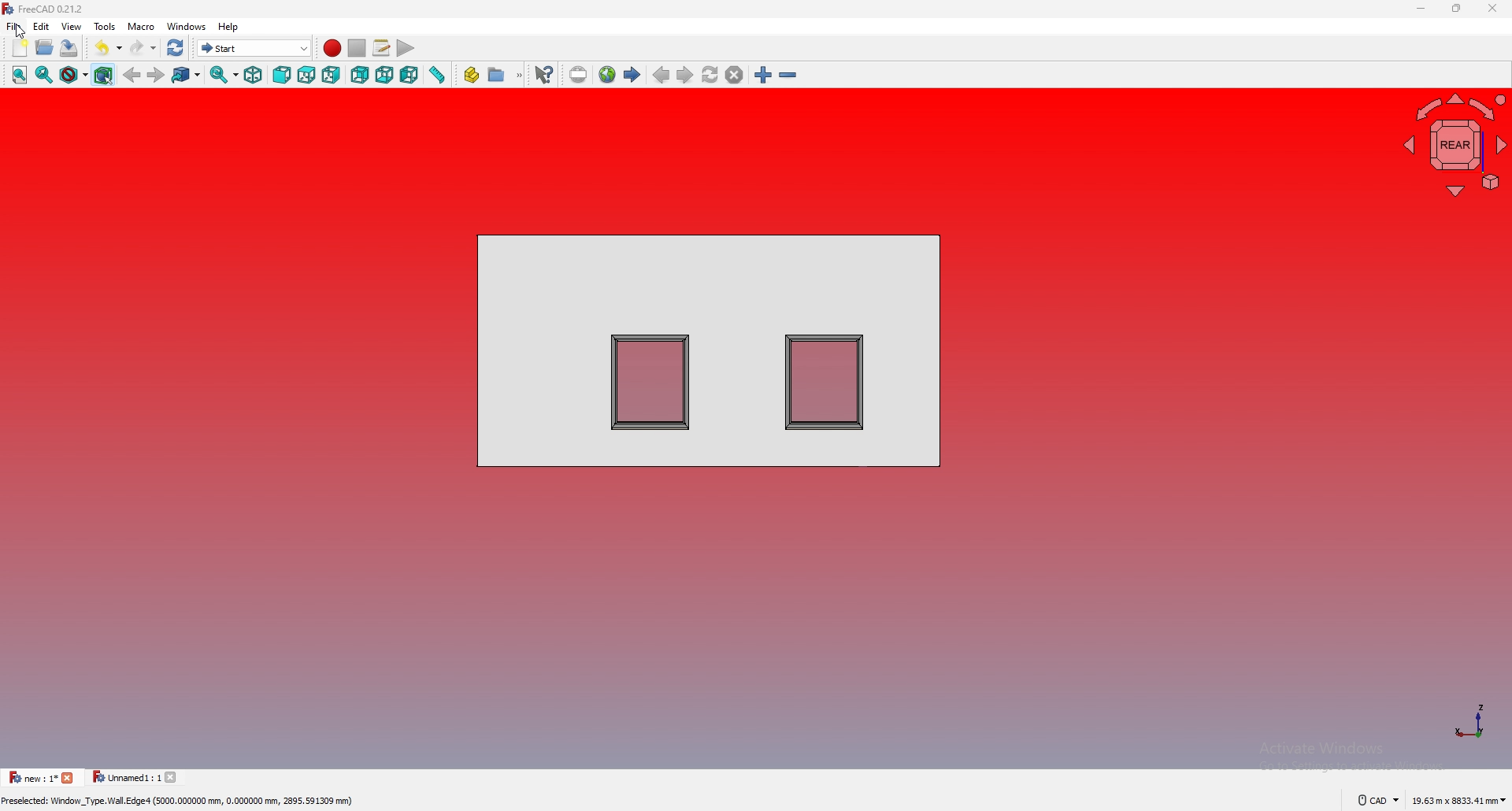 Image resolution: width=1512 pixels, height=811 pixels. Describe the element at coordinates (228, 27) in the screenshot. I see `help` at that location.